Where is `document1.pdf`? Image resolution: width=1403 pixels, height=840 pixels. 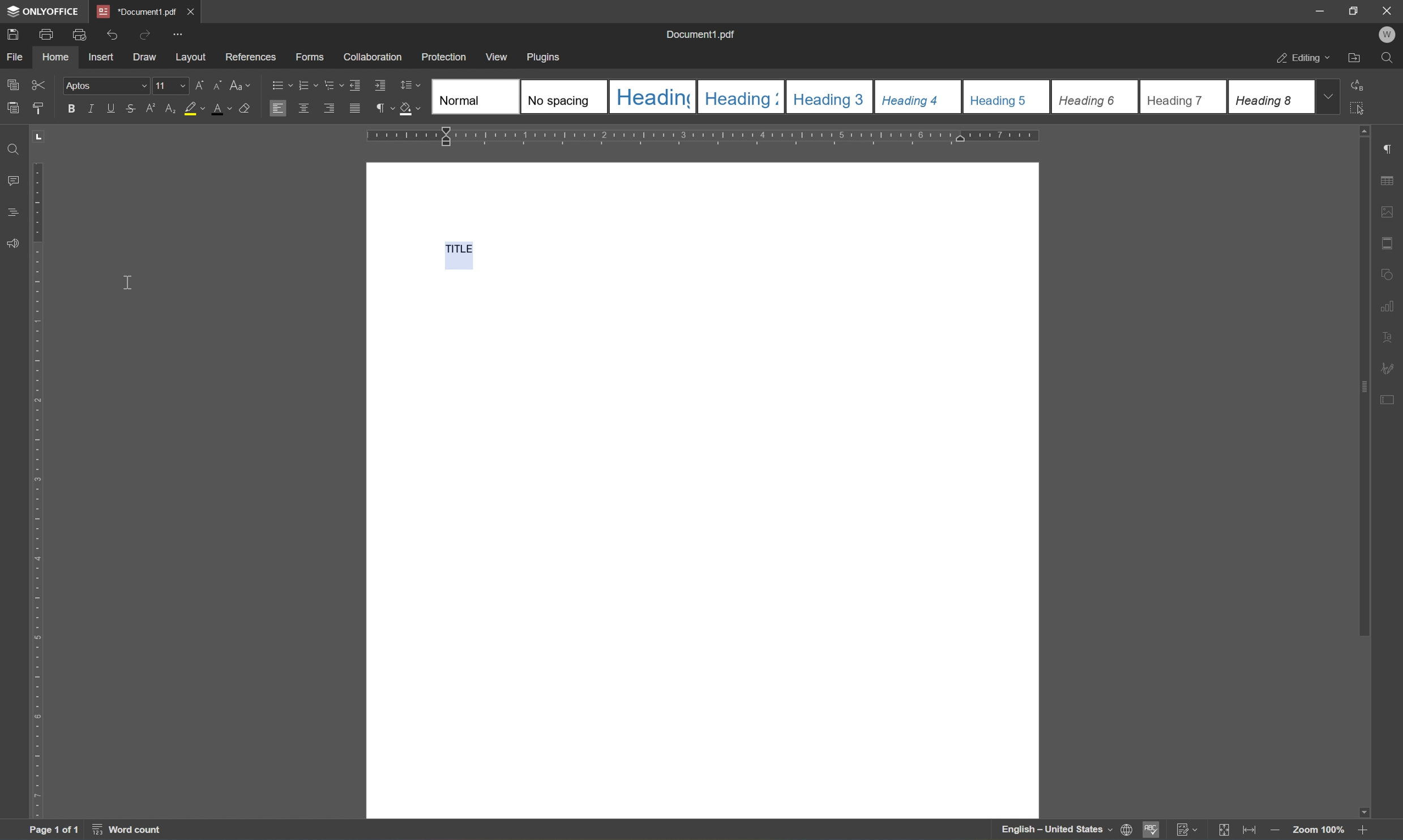
document1.pdf is located at coordinates (703, 35).